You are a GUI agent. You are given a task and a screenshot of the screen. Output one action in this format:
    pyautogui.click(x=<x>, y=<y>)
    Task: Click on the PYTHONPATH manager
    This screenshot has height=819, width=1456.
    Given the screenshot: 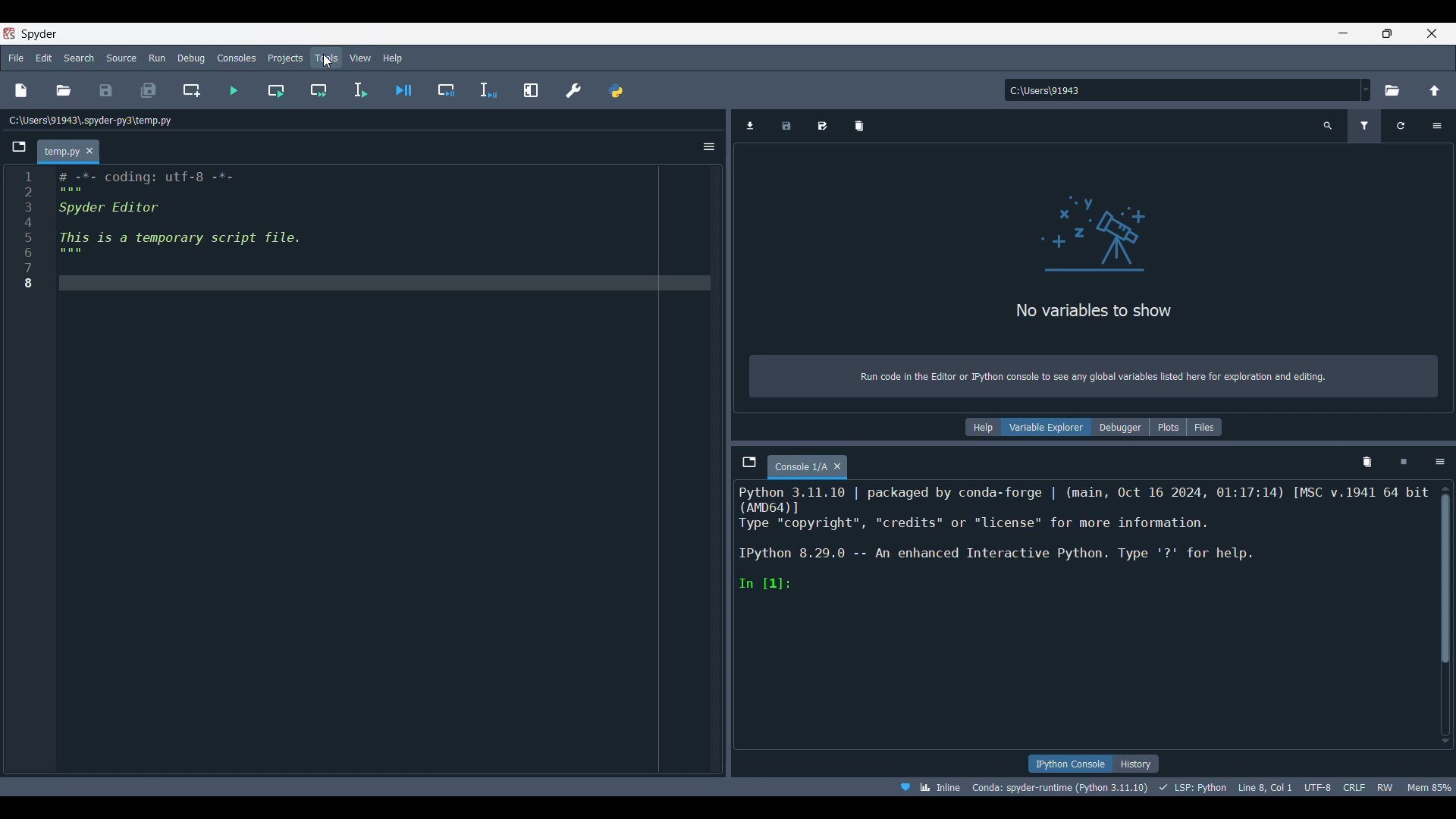 What is the action you would take?
    pyautogui.click(x=616, y=91)
    